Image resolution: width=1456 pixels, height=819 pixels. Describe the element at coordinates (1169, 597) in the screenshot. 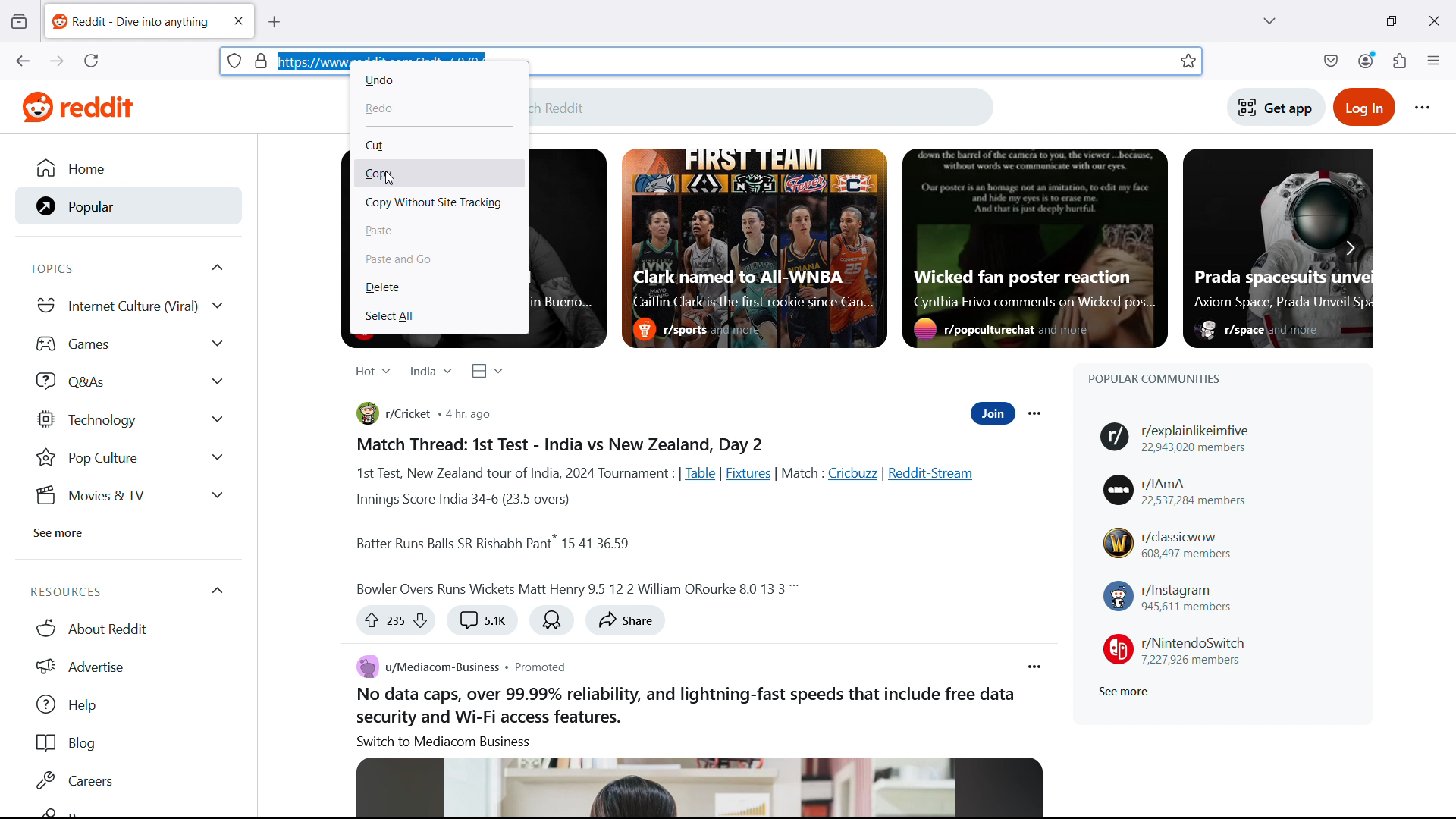

I see `r/instagram` at that location.